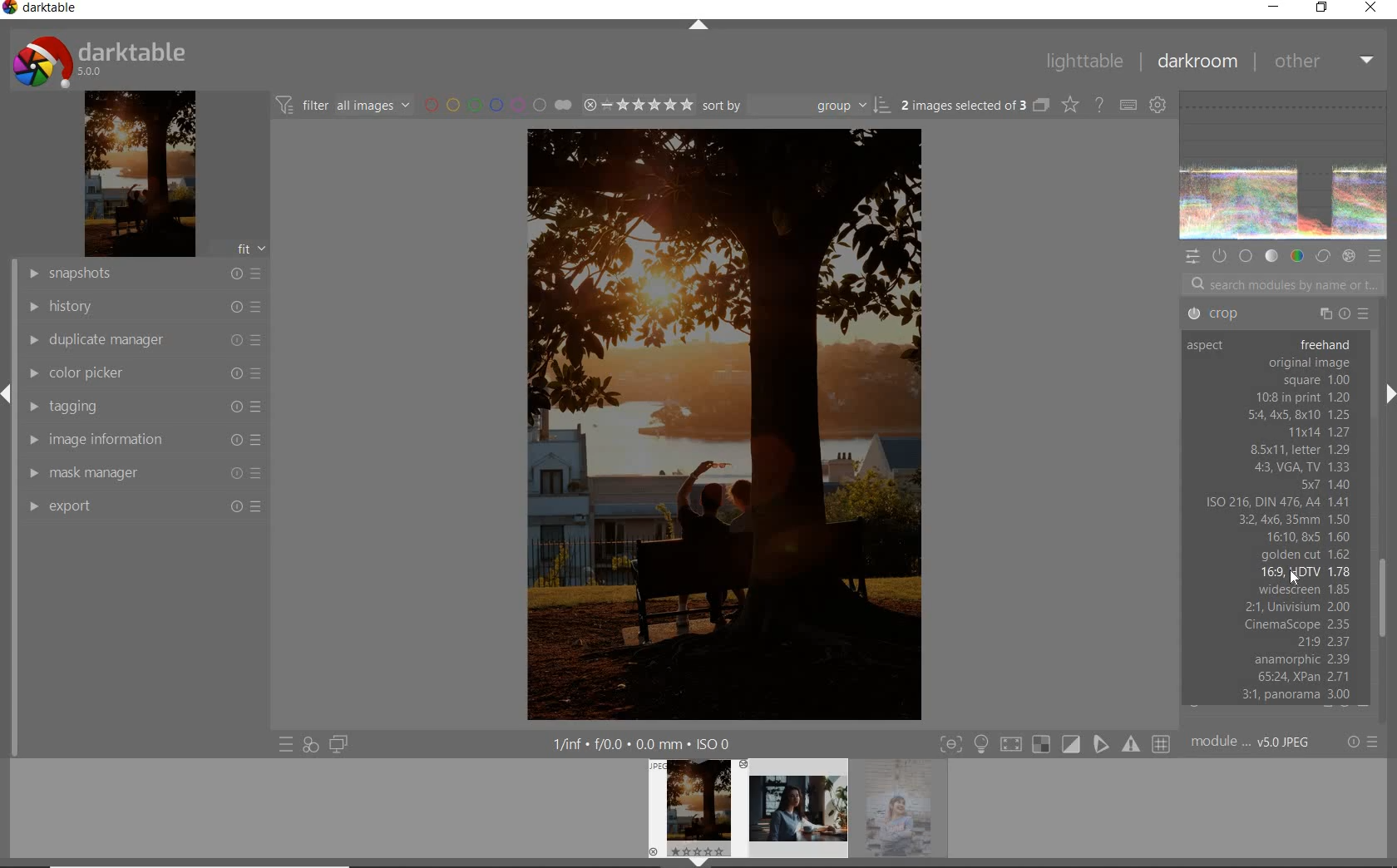 The width and height of the screenshot is (1397, 868). Describe the element at coordinates (1385, 599) in the screenshot. I see `scrollbar` at that location.